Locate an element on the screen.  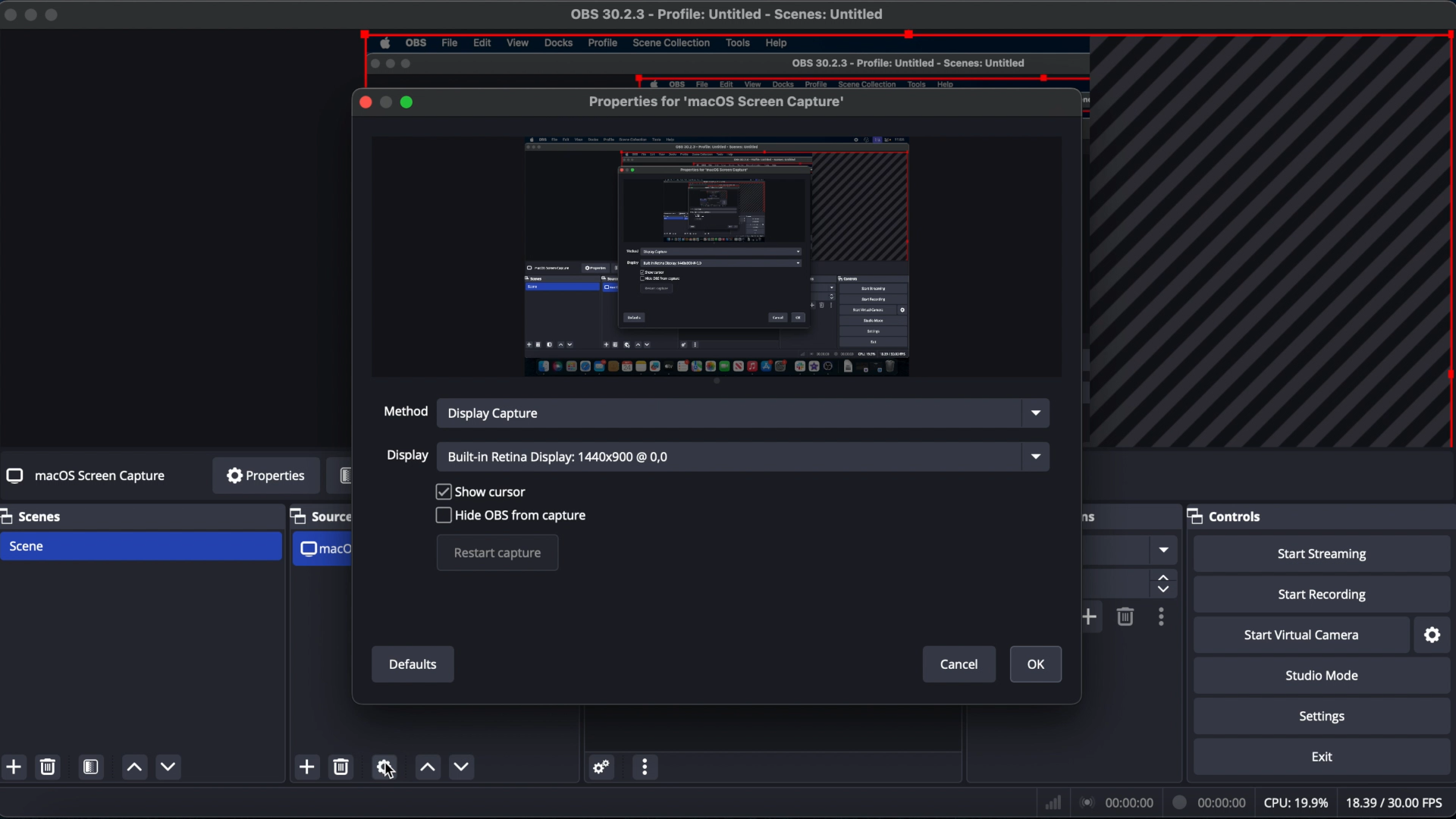
recording elapsed time is located at coordinates (1210, 802).